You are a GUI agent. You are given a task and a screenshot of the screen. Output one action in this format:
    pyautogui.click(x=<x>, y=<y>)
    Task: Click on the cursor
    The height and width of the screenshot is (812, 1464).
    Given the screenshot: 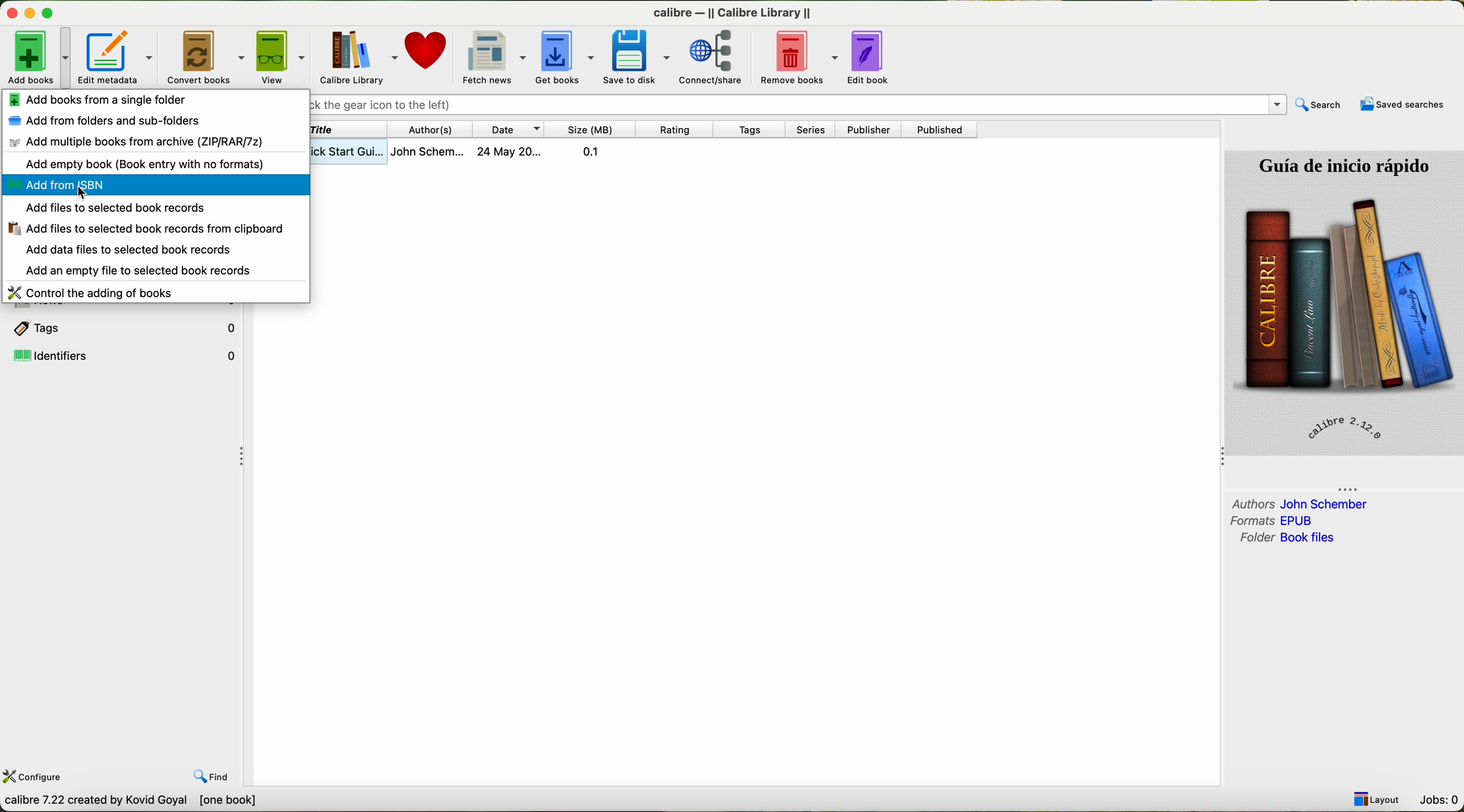 What is the action you would take?
    pyautogui.click(x=78, y=196)
    